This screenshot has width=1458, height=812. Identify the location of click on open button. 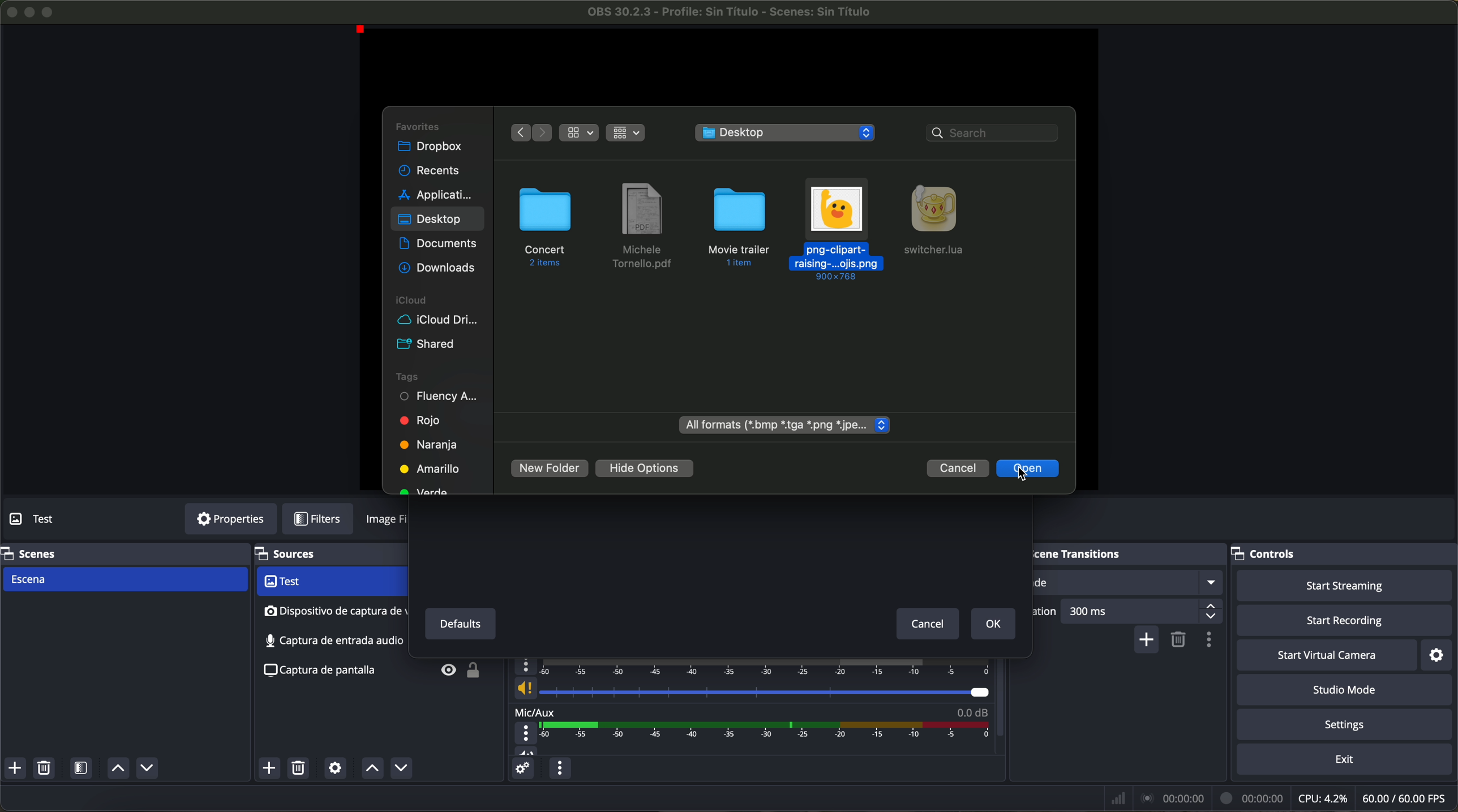
(1029, 471).